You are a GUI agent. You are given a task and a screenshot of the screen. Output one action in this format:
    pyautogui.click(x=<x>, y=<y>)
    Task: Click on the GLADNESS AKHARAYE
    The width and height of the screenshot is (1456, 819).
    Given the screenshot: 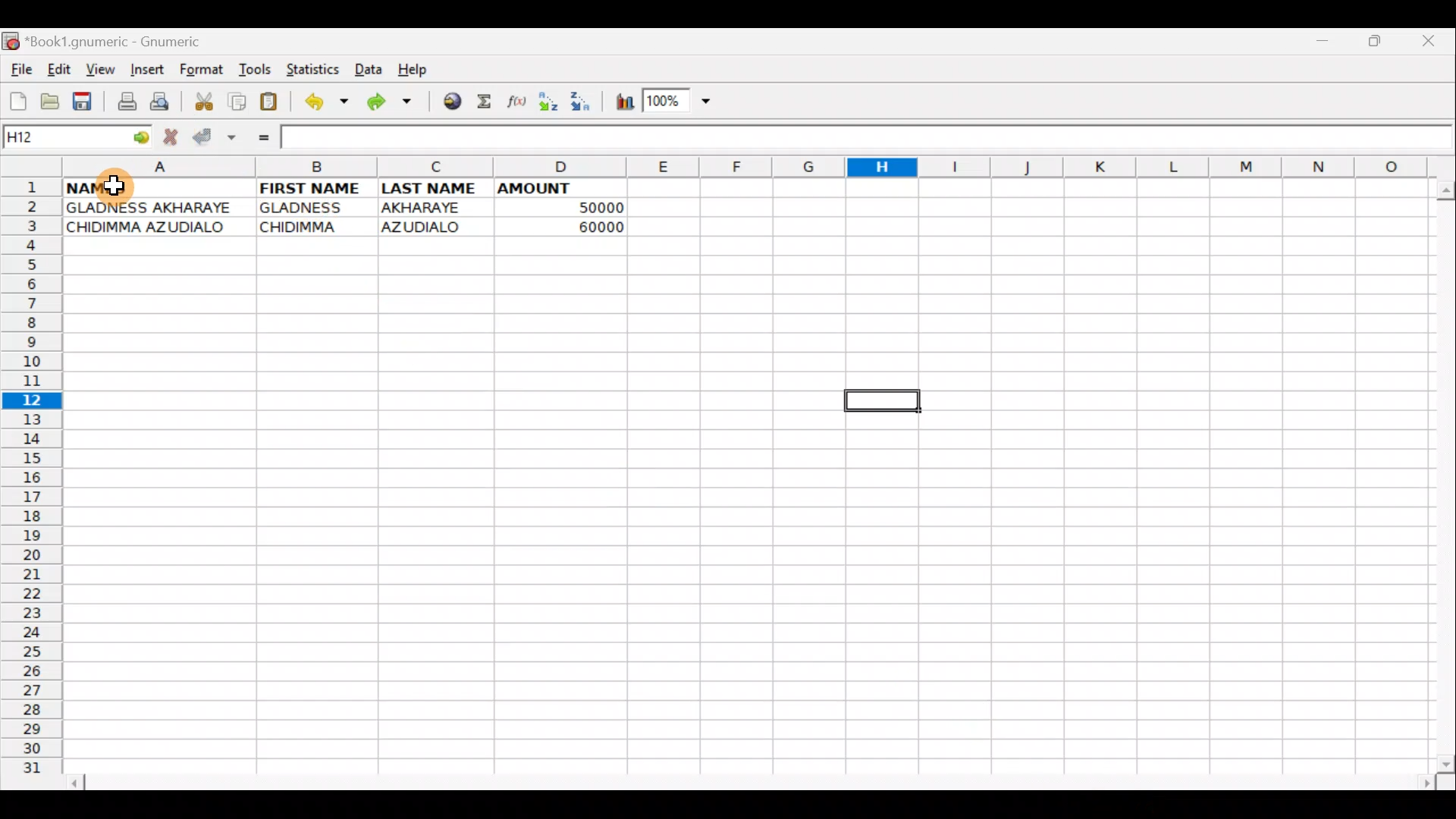 What is the action you would take?
    pyautogui.click(x=154, y=209)
    